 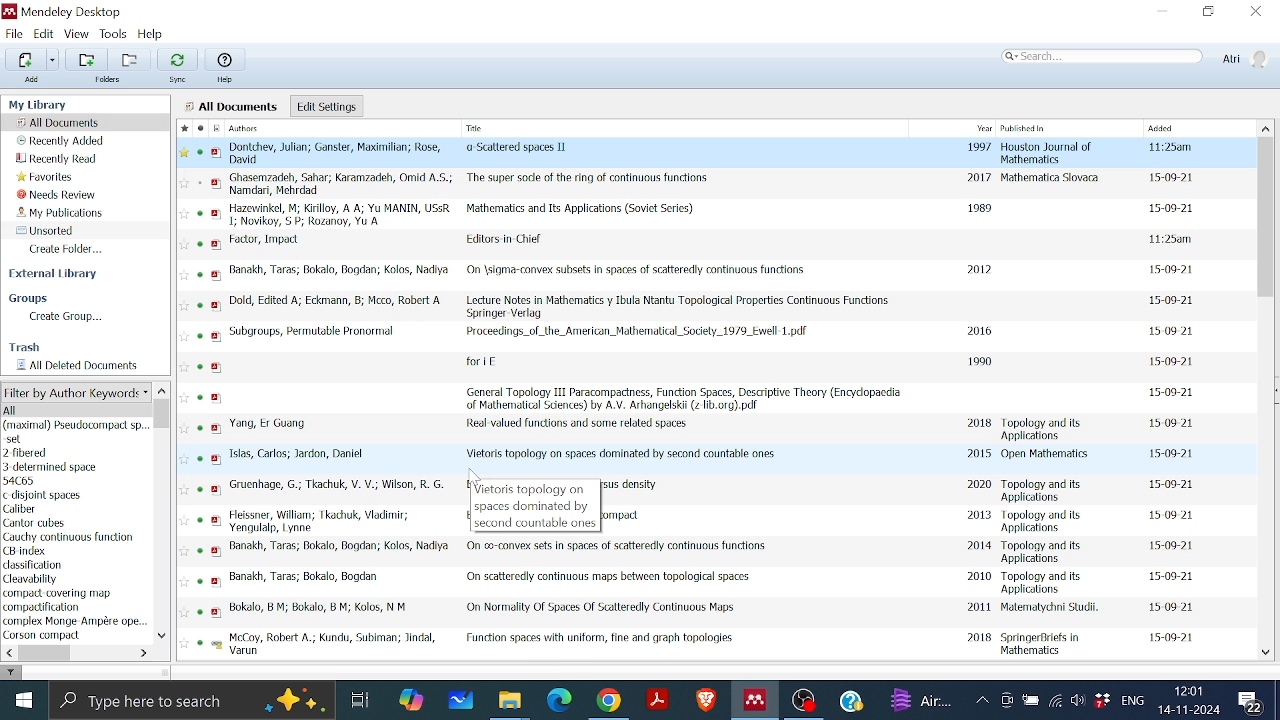 What do you see at coordinates (1078, 699) in the screenshot?
I see `Speaker/Headphone` at bounding box center [1078, 699].